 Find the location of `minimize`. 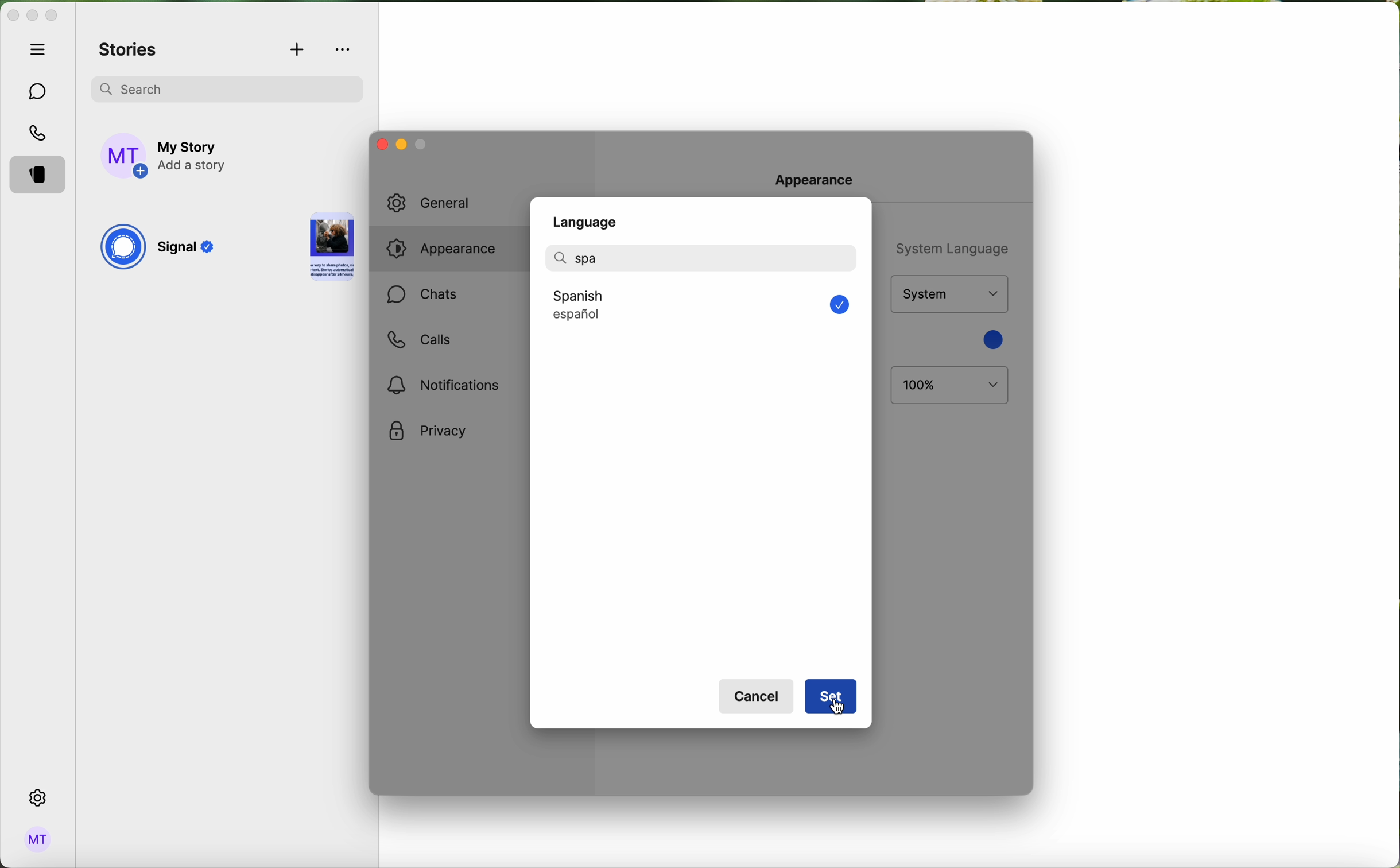

minimize is located at coordinates (32, 17).